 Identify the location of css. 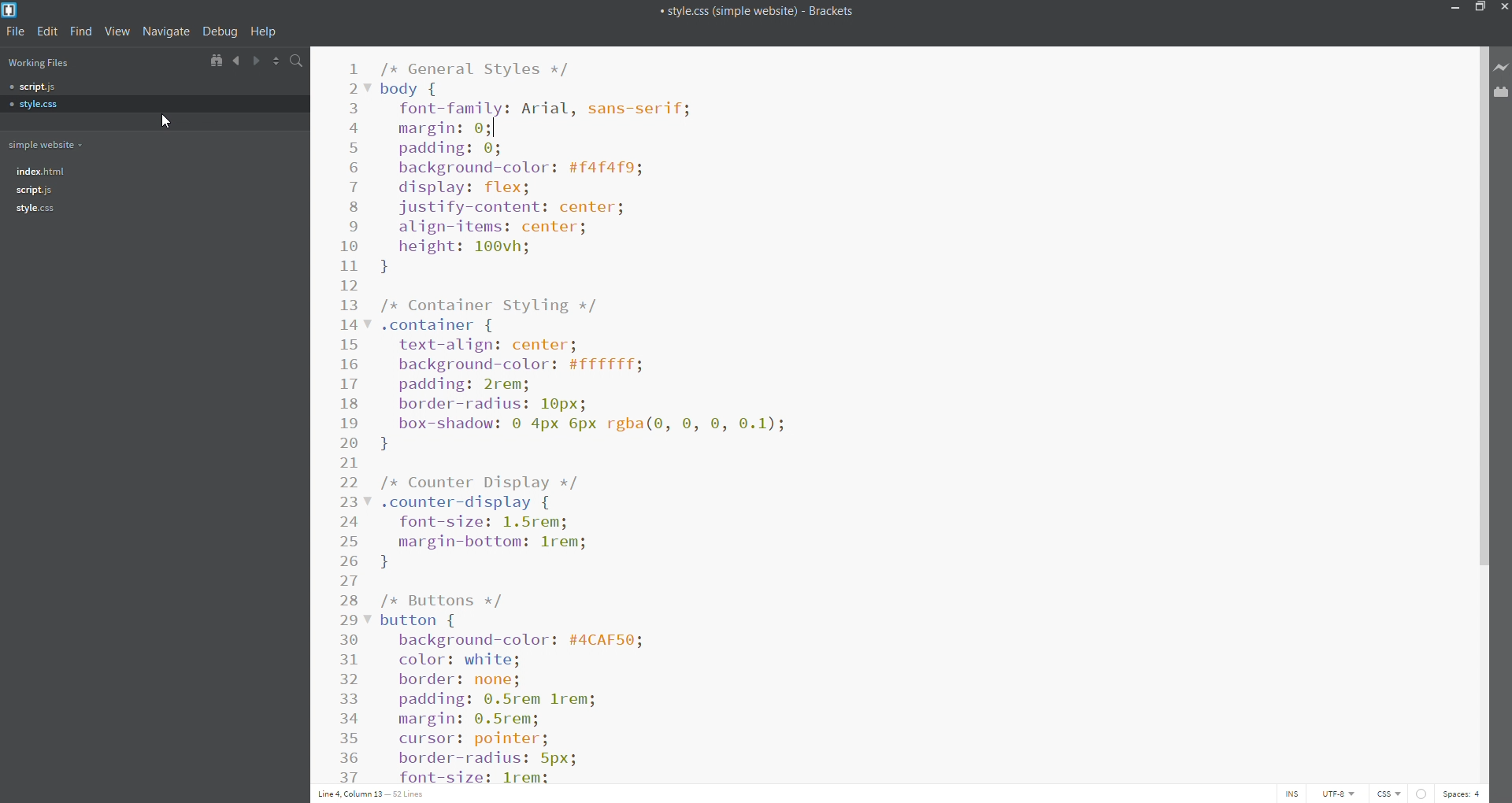
(1391, 794).